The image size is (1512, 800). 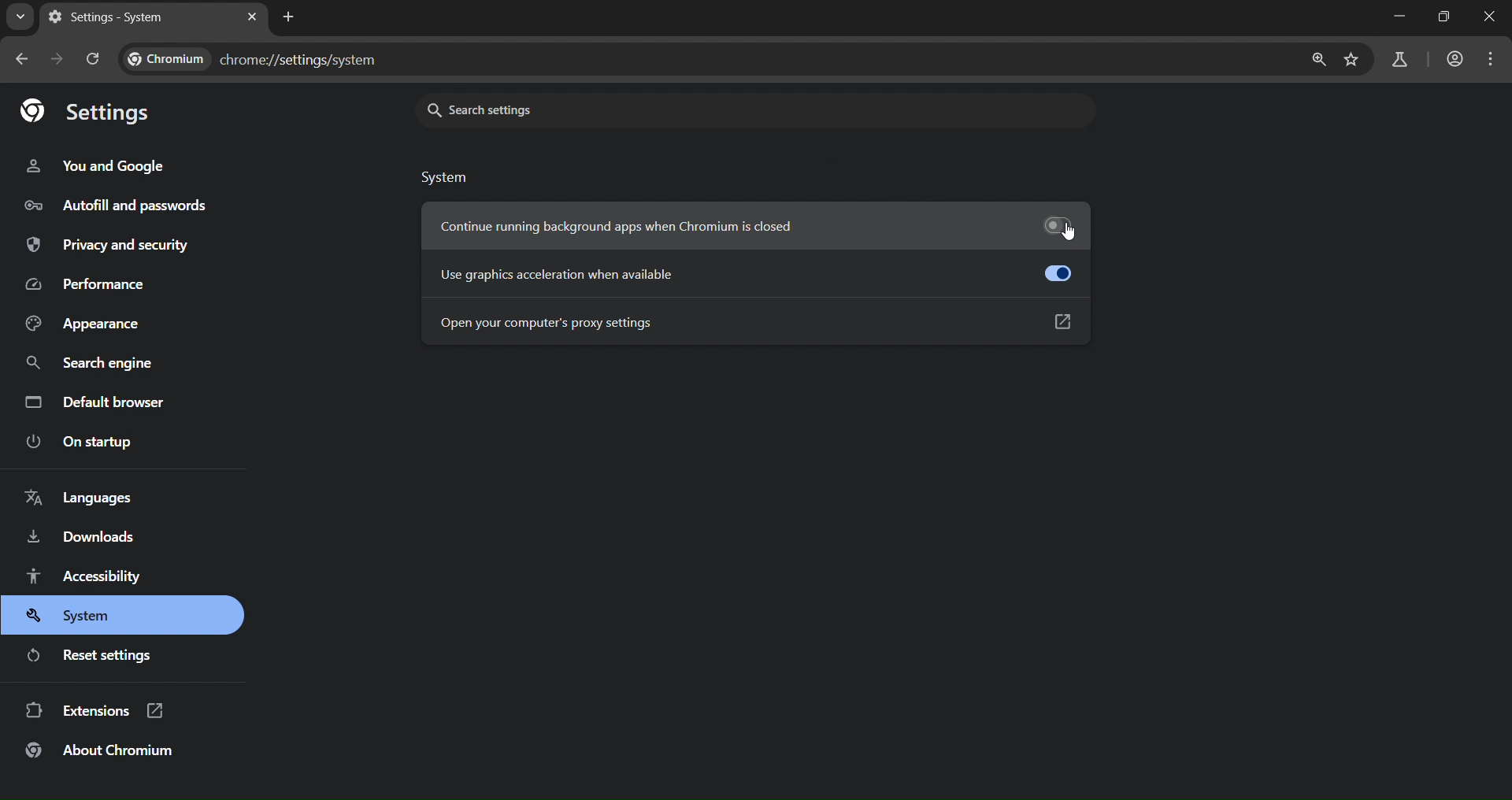 What do you see at coordinates (126, 20) in the screenshot?
I see `settings - system` at bounding box center [126, 20].